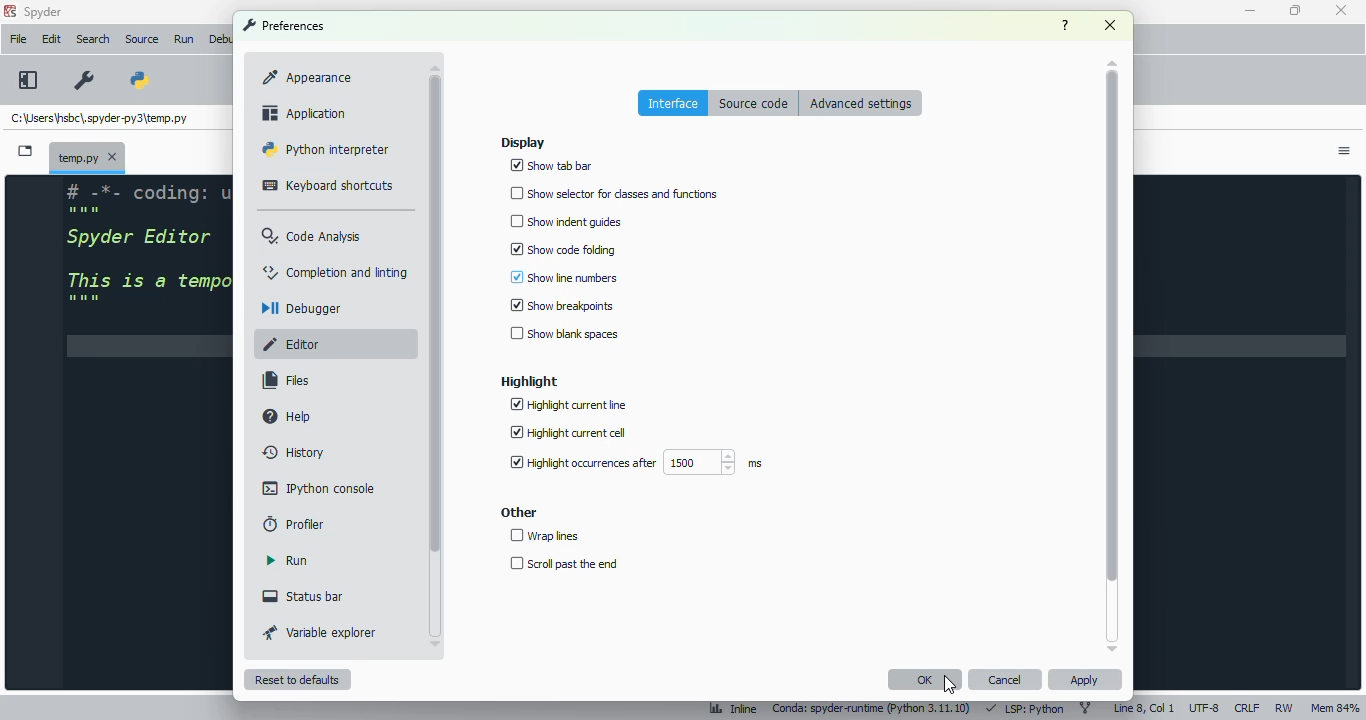 The height and width of the screenshot is (720, 1366). What do you see at coordinates (1106, 644) in the screenshot?
I see `Down` at bounding box center [1106, 644].